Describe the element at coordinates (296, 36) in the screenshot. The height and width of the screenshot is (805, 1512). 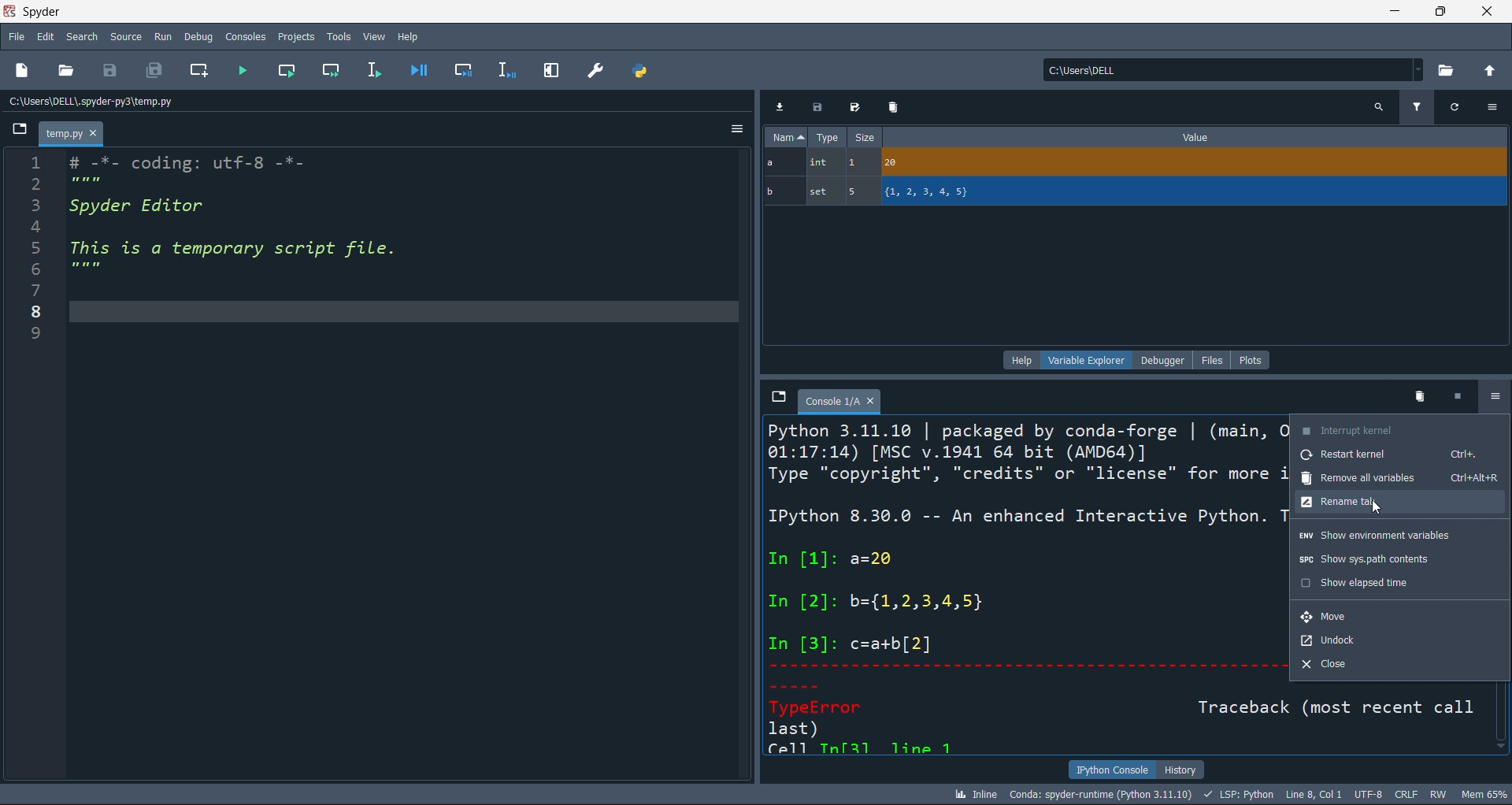
I see `PROJECTS` at that location.